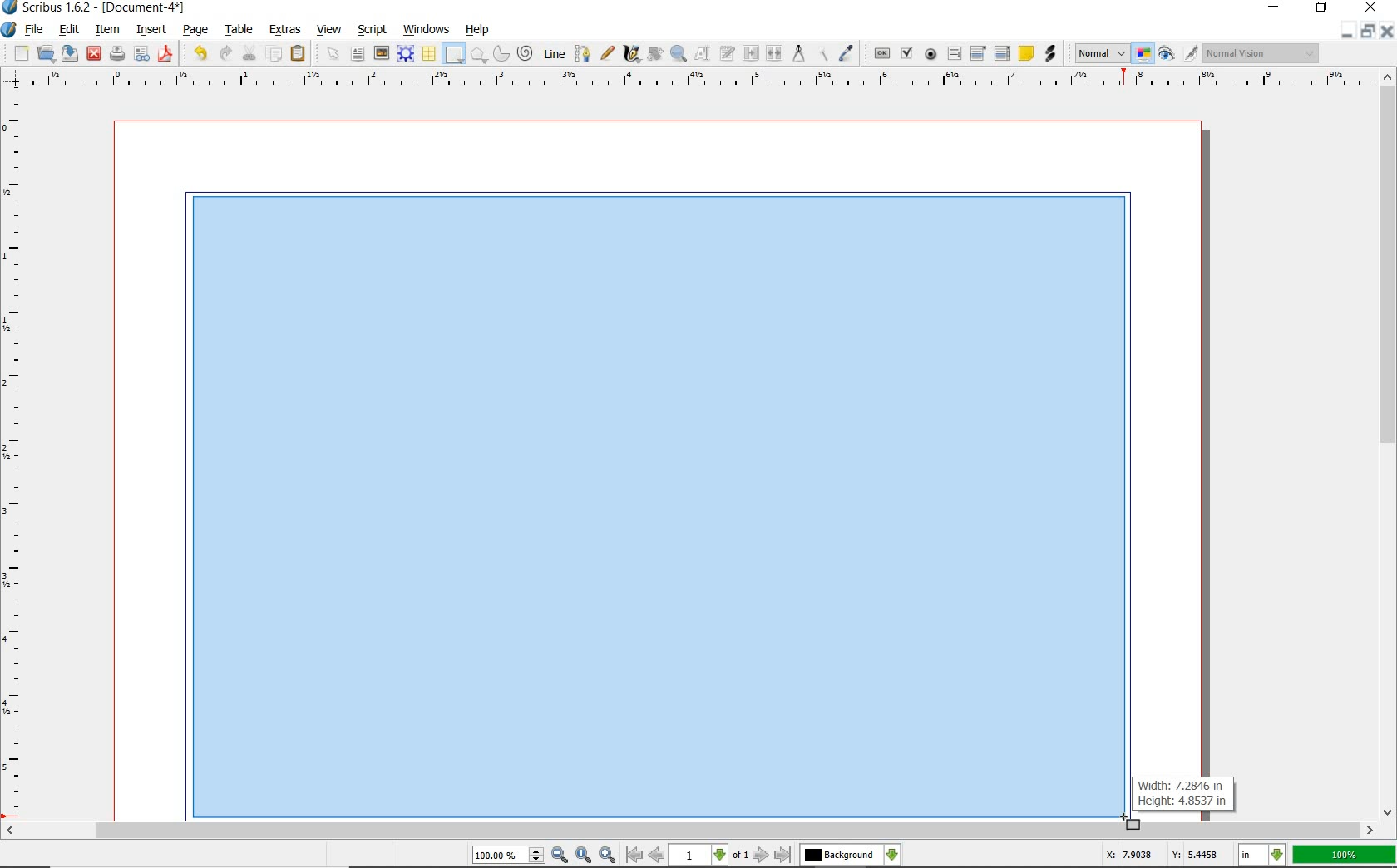  Describe the element at coordinates (284, 30) in the screenshot. I see `extras` at that location.